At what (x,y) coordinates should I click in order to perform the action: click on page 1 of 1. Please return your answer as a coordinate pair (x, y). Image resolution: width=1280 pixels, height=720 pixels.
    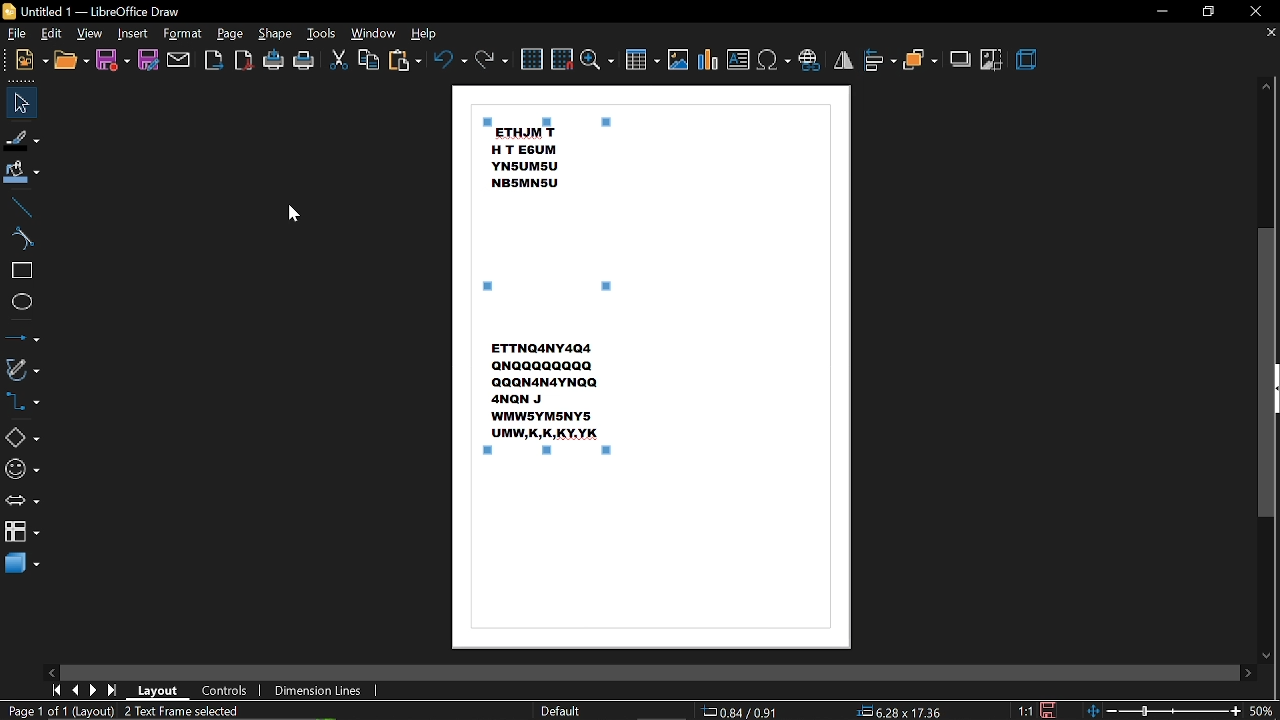
    Looking at the image, I should click on (36, 710).